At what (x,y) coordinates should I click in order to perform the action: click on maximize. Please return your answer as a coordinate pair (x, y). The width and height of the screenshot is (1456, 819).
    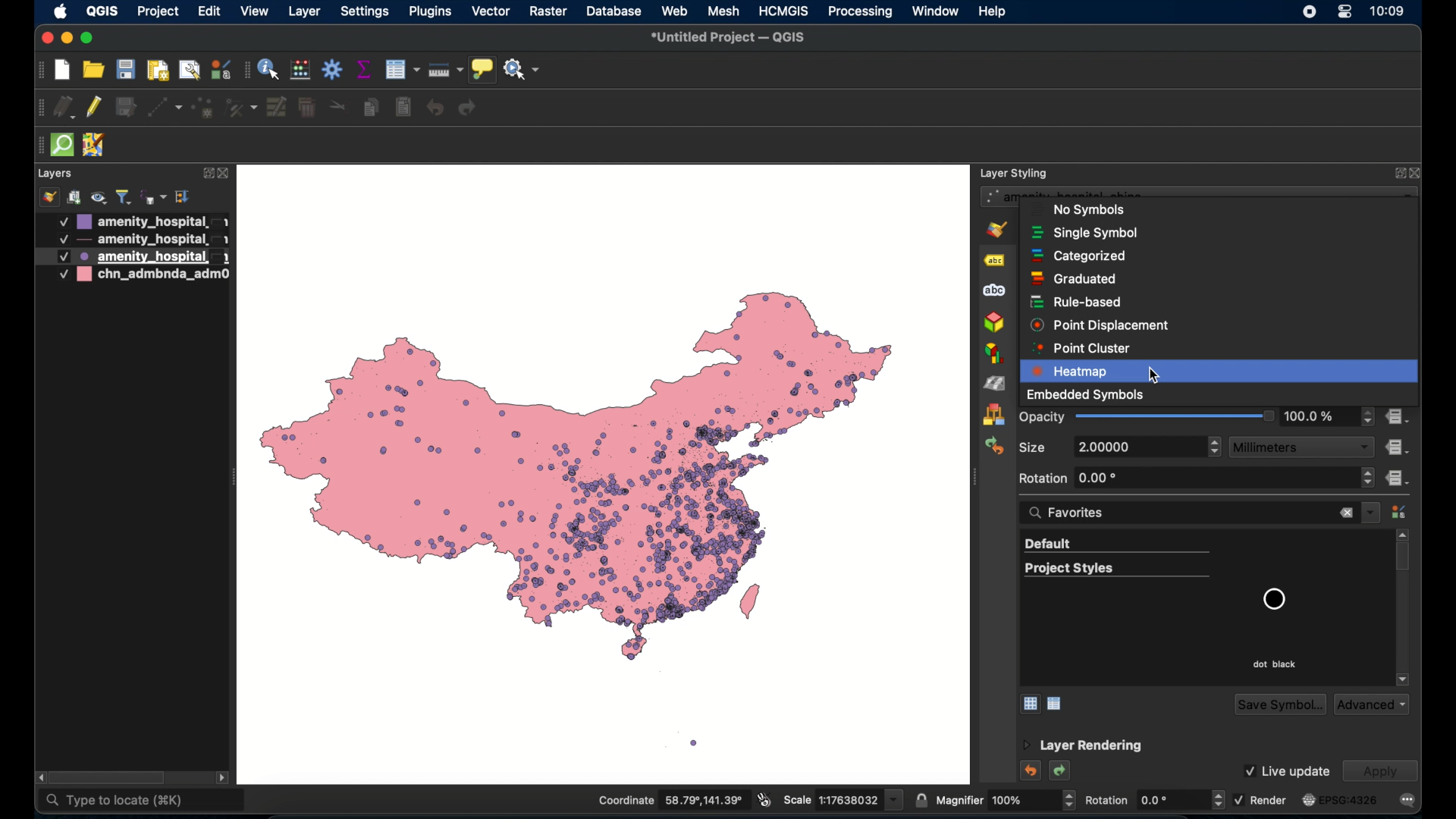
    Looking at the image, I should click on (90, 39).